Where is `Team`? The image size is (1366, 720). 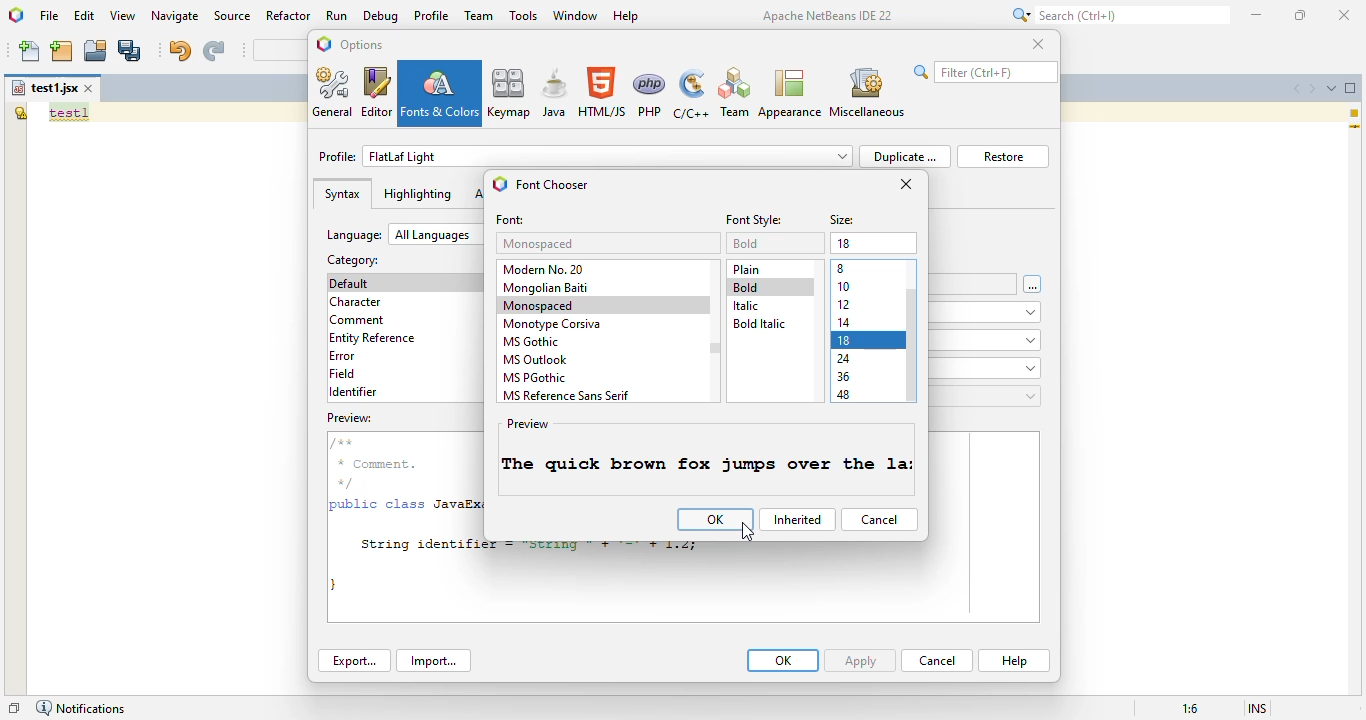 Team is located at coordinates (734, 93).